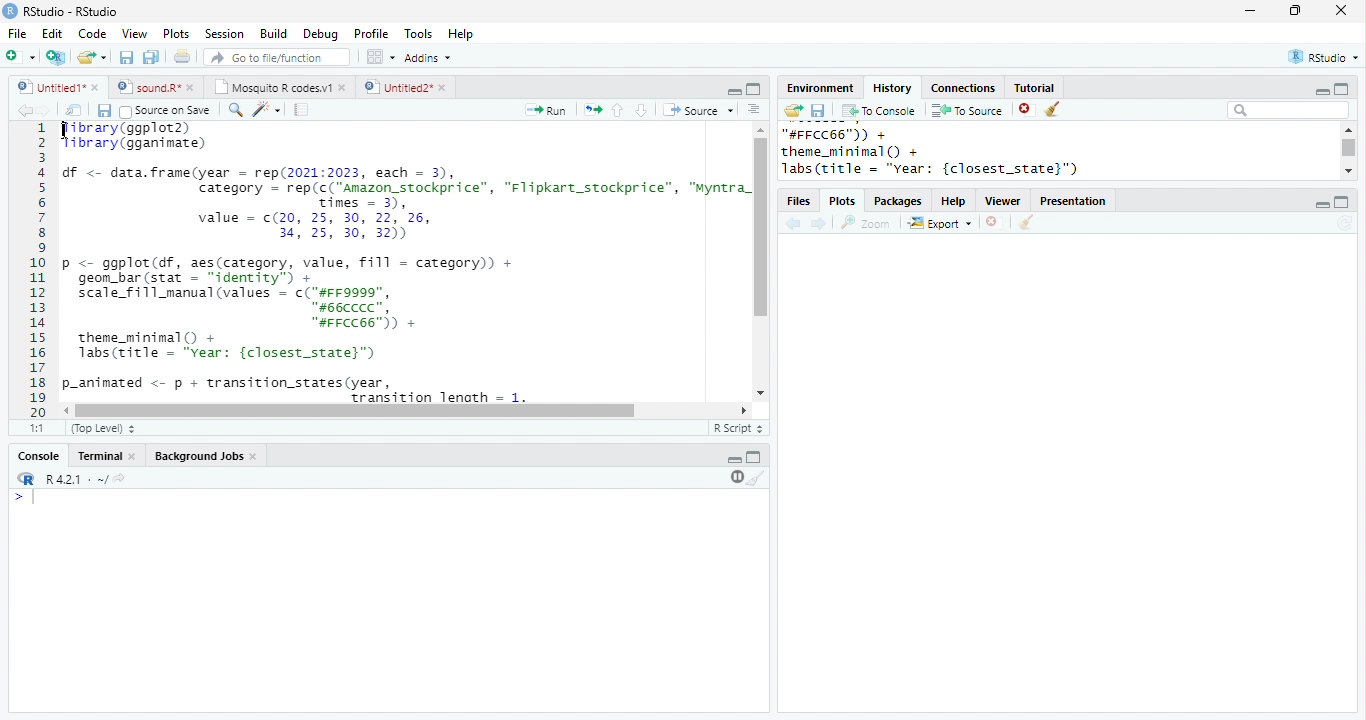 The image size is (1366, 720). I want to click on minimize, so click(735, 92).